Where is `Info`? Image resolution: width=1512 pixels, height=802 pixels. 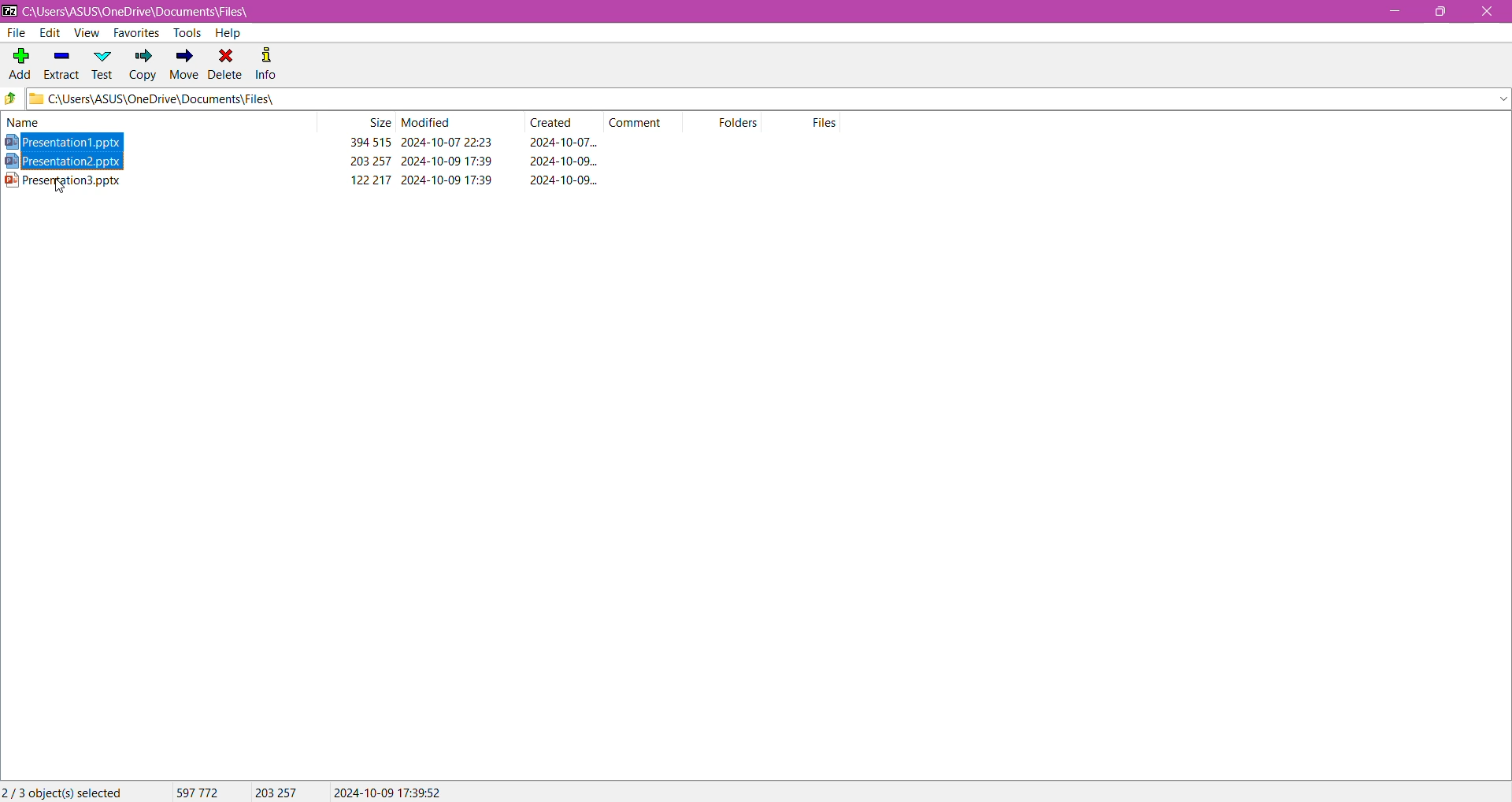 Info is located at coordinates (267, 62).